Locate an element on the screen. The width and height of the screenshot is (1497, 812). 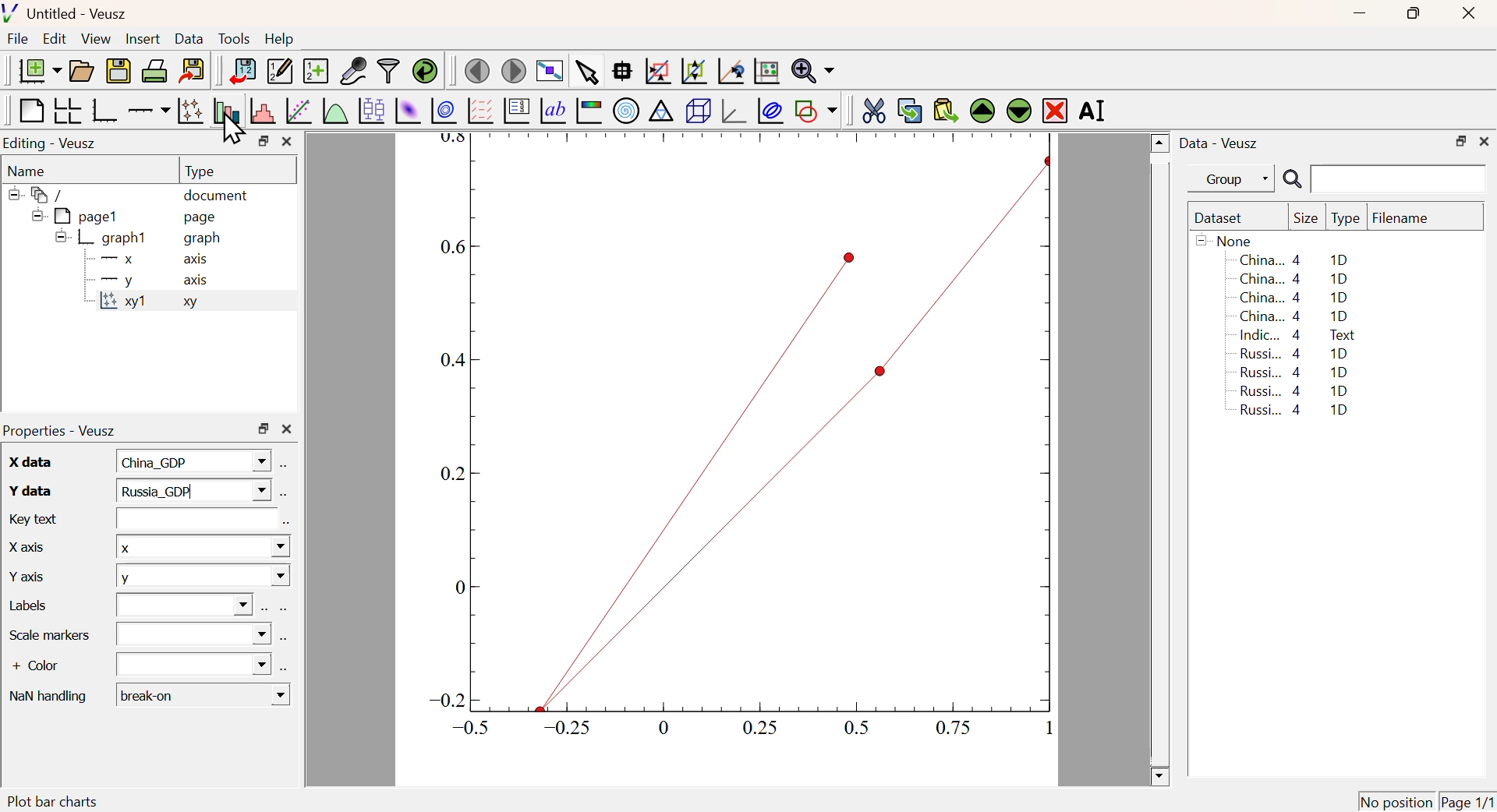
Histogram of a dataset is located at coordinates (263, 111).